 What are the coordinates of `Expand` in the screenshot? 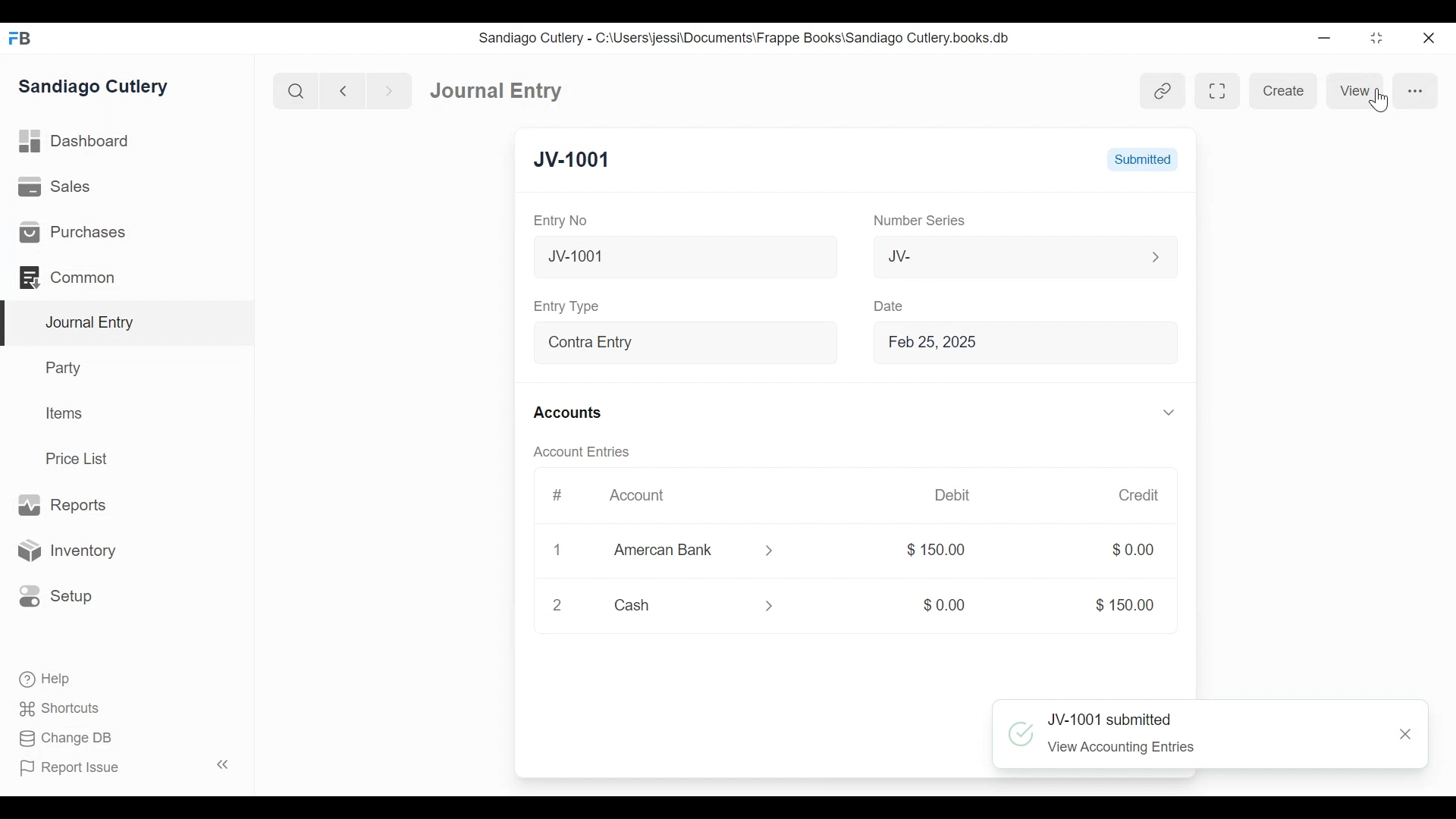 It's located at (773, 608).